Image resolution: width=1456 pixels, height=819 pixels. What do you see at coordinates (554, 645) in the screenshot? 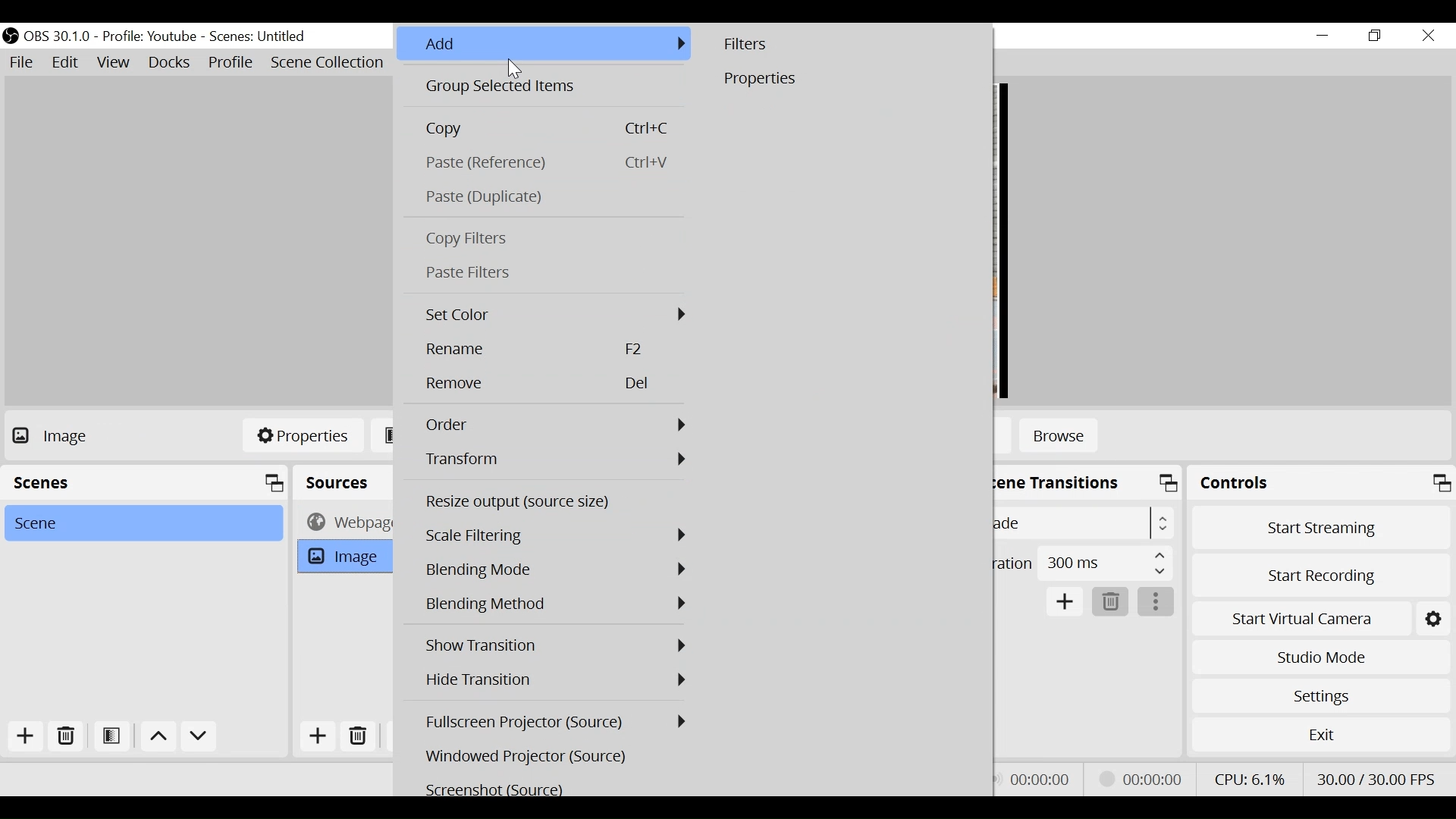
I see `Show Transition` at bounding box center [554, 645].